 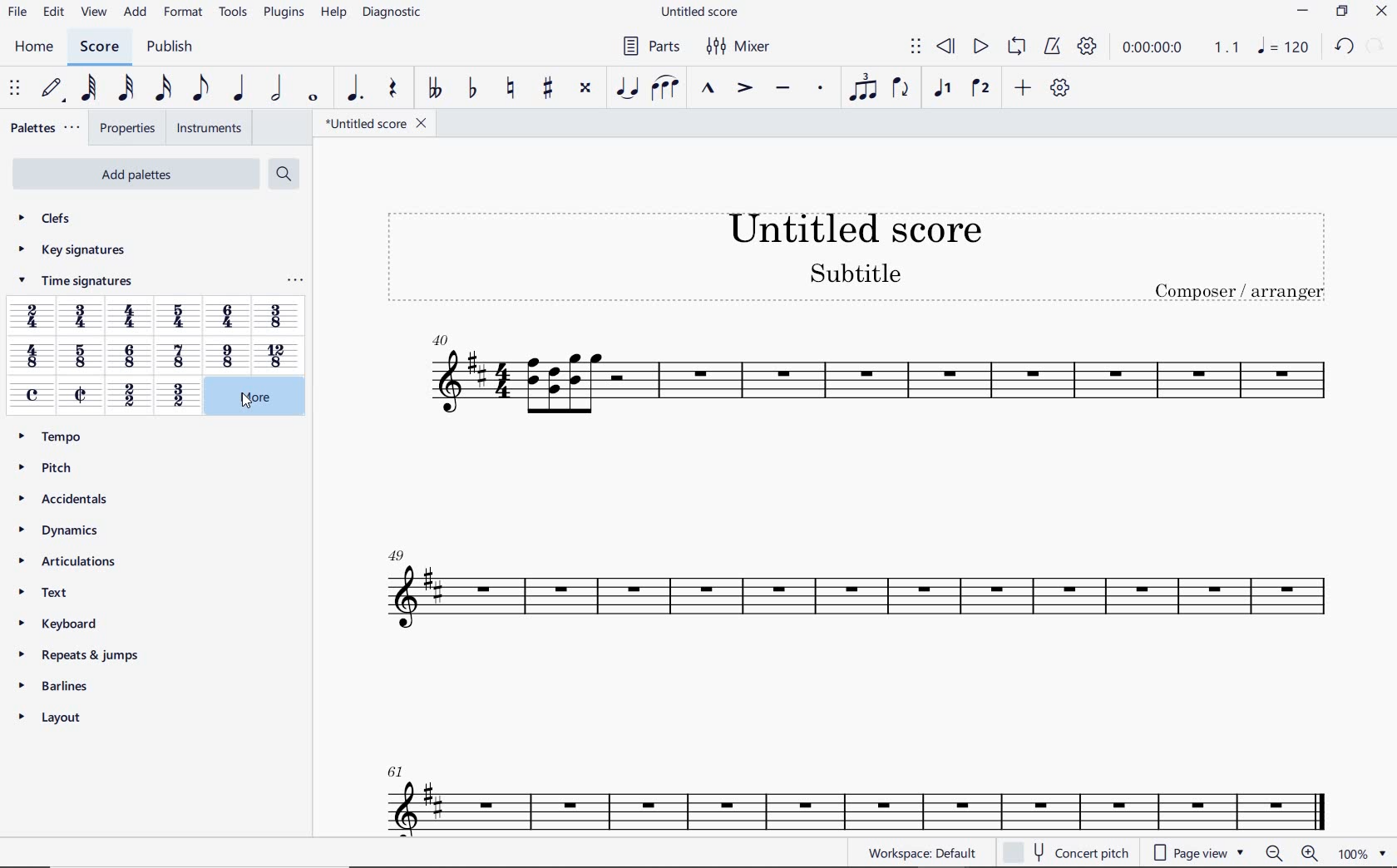 I want to click on PROPERTIES, so click(x=126, y=129).